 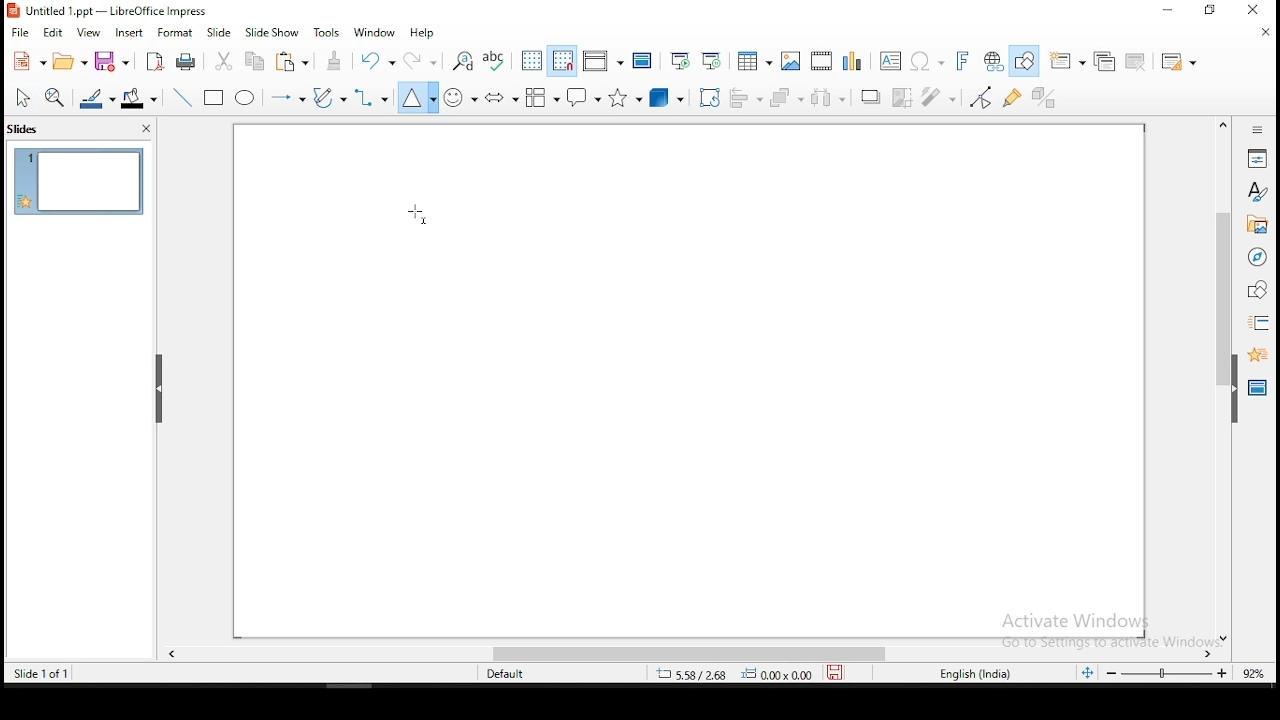 I want to click on ellipse, so click(x=247, y=99).